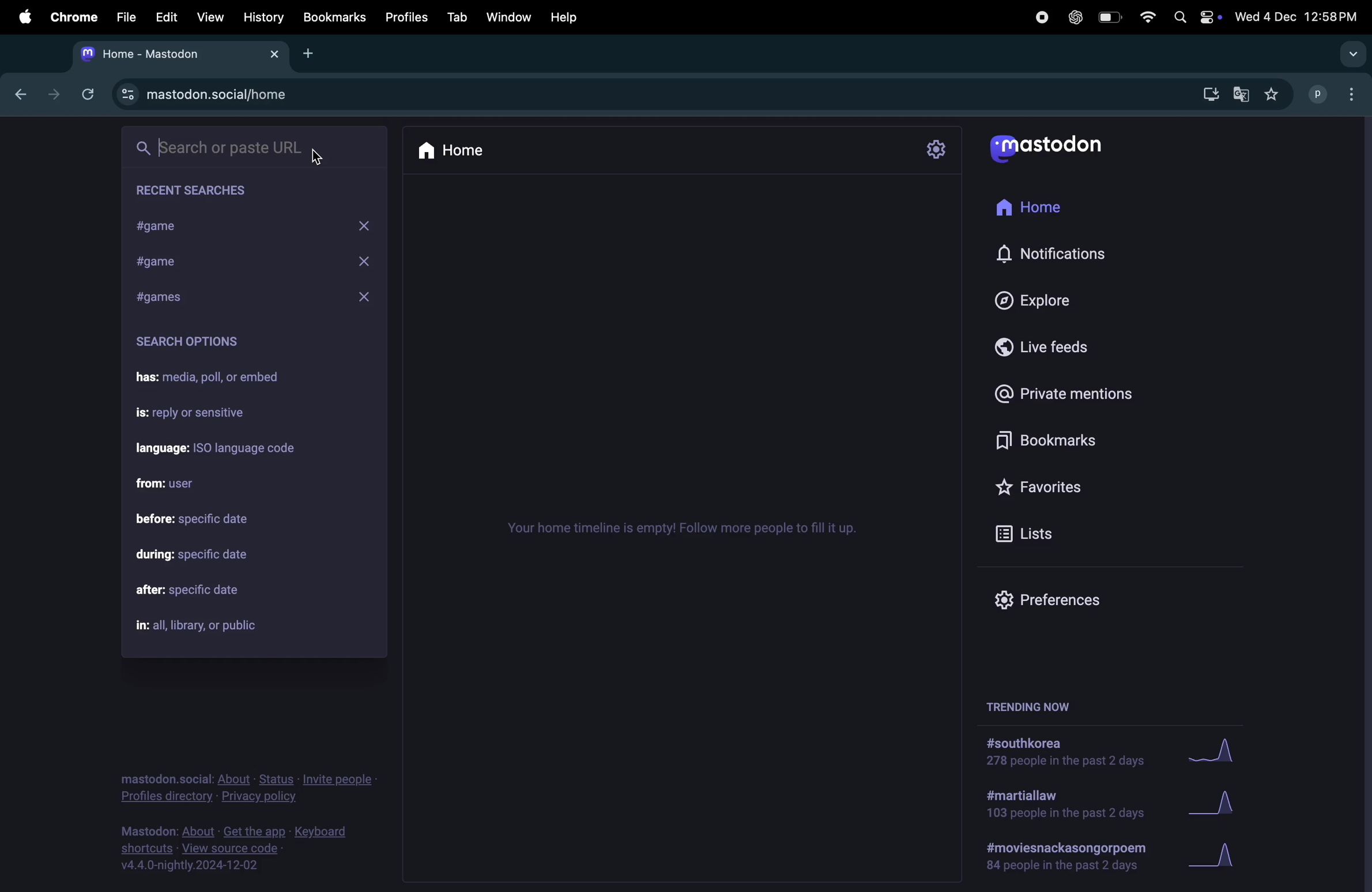 The width and height of the screenshot is (1372, 892). Describe the element at coordinates (1064, 807) in the screenshot. I see `#martial law` at that location.